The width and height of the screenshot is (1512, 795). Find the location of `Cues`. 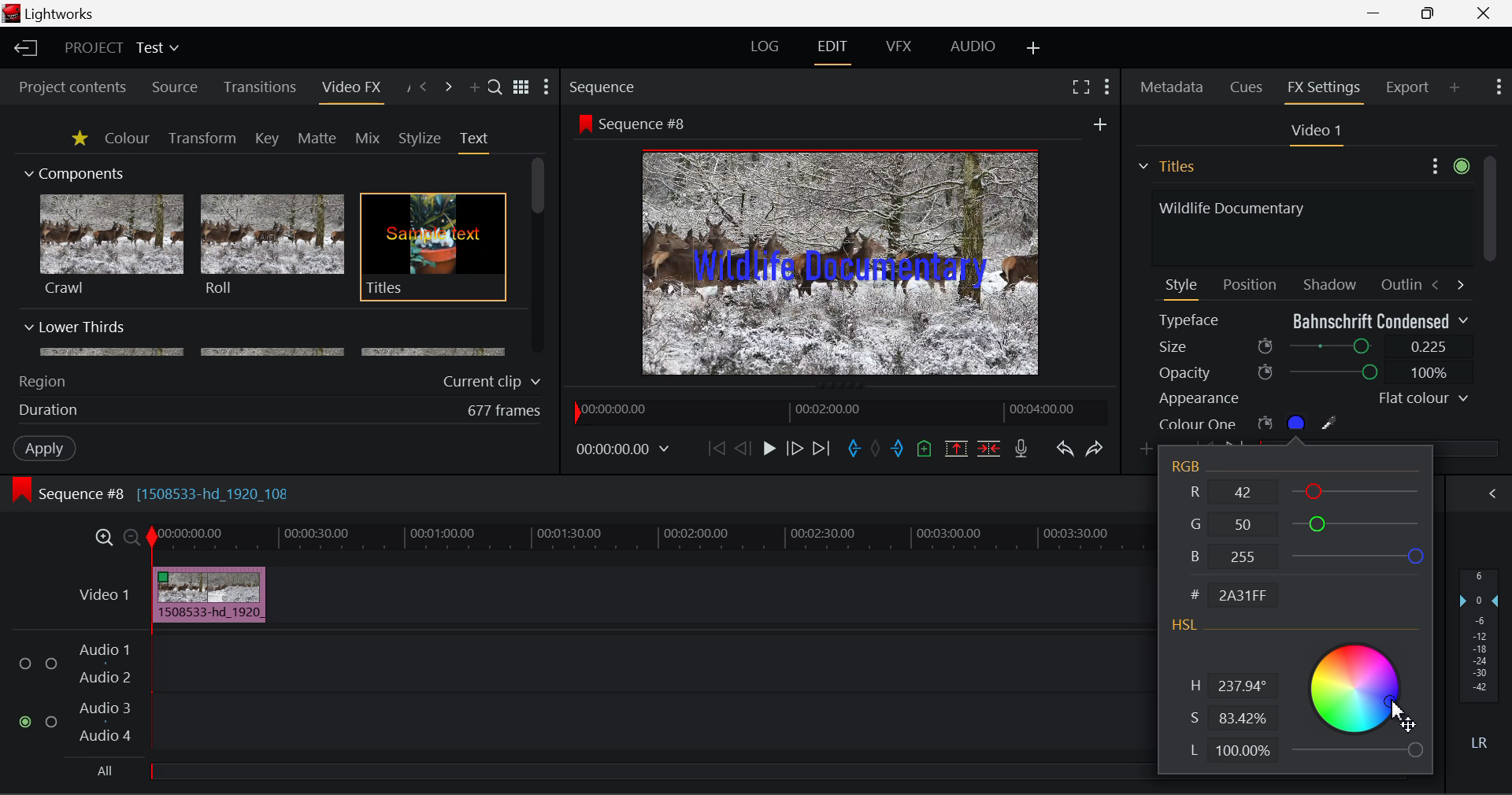

Cues is located at coordinates (1248, 87).